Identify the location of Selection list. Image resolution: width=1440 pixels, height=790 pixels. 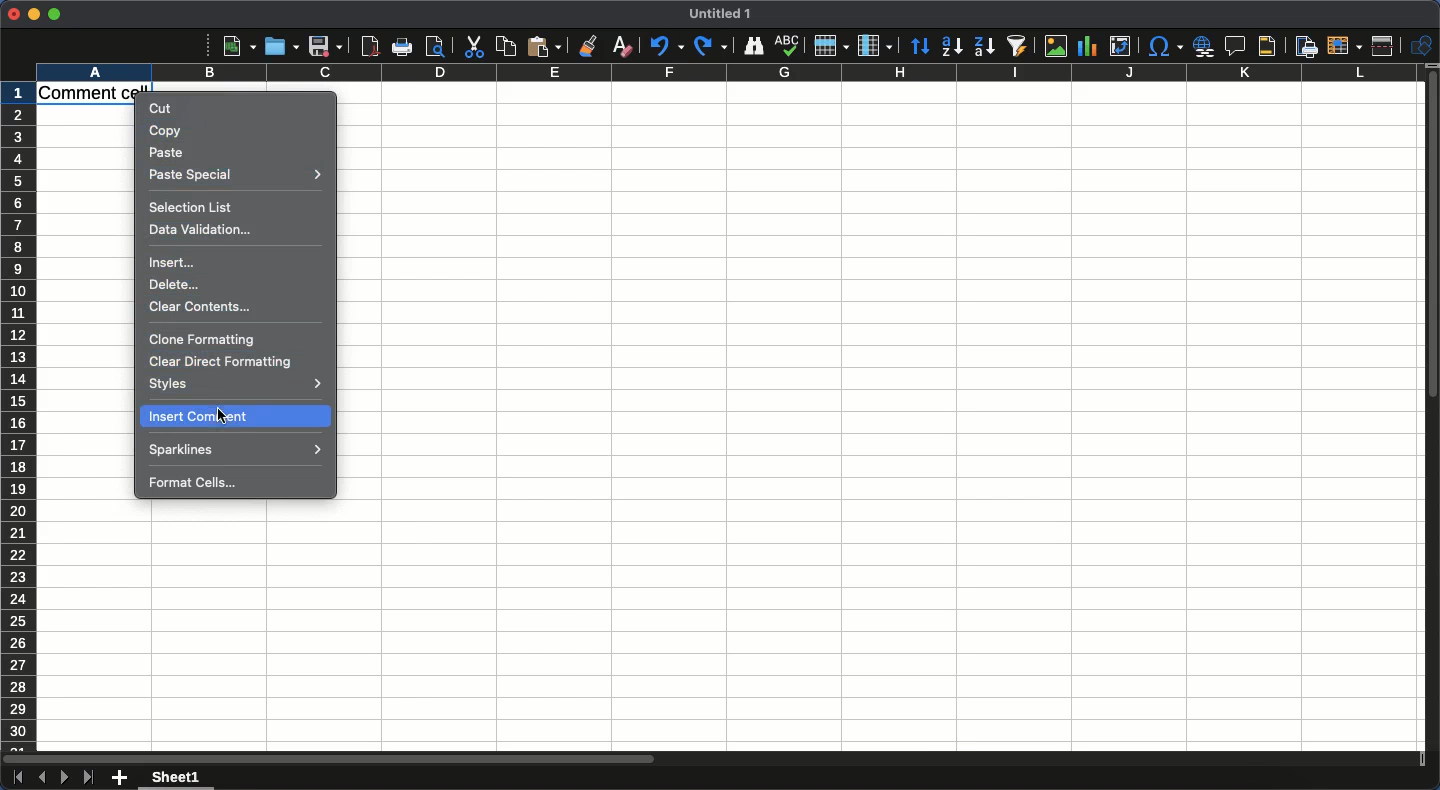
(190, 207).